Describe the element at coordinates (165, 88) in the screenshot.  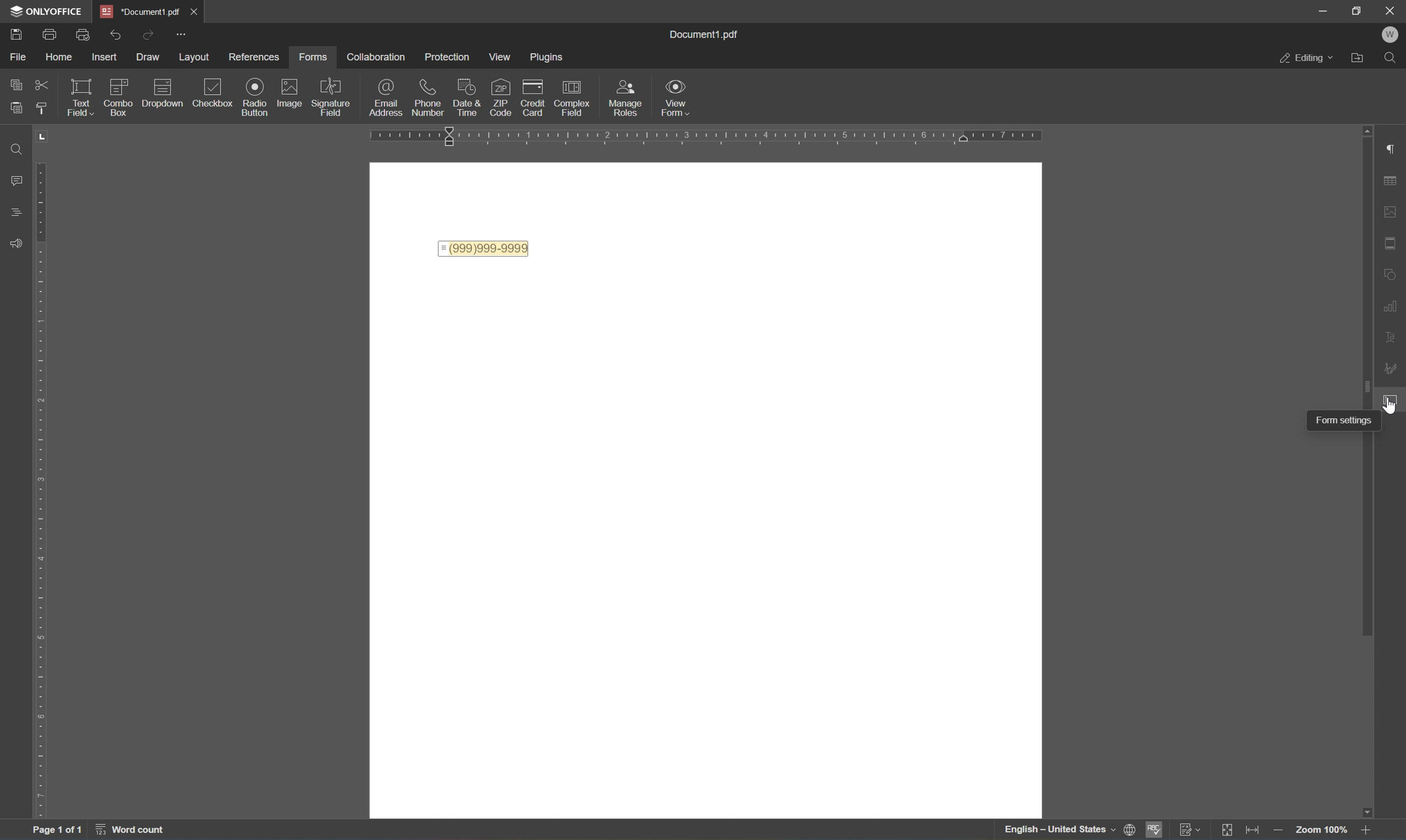
I see `dropdown` at that location.